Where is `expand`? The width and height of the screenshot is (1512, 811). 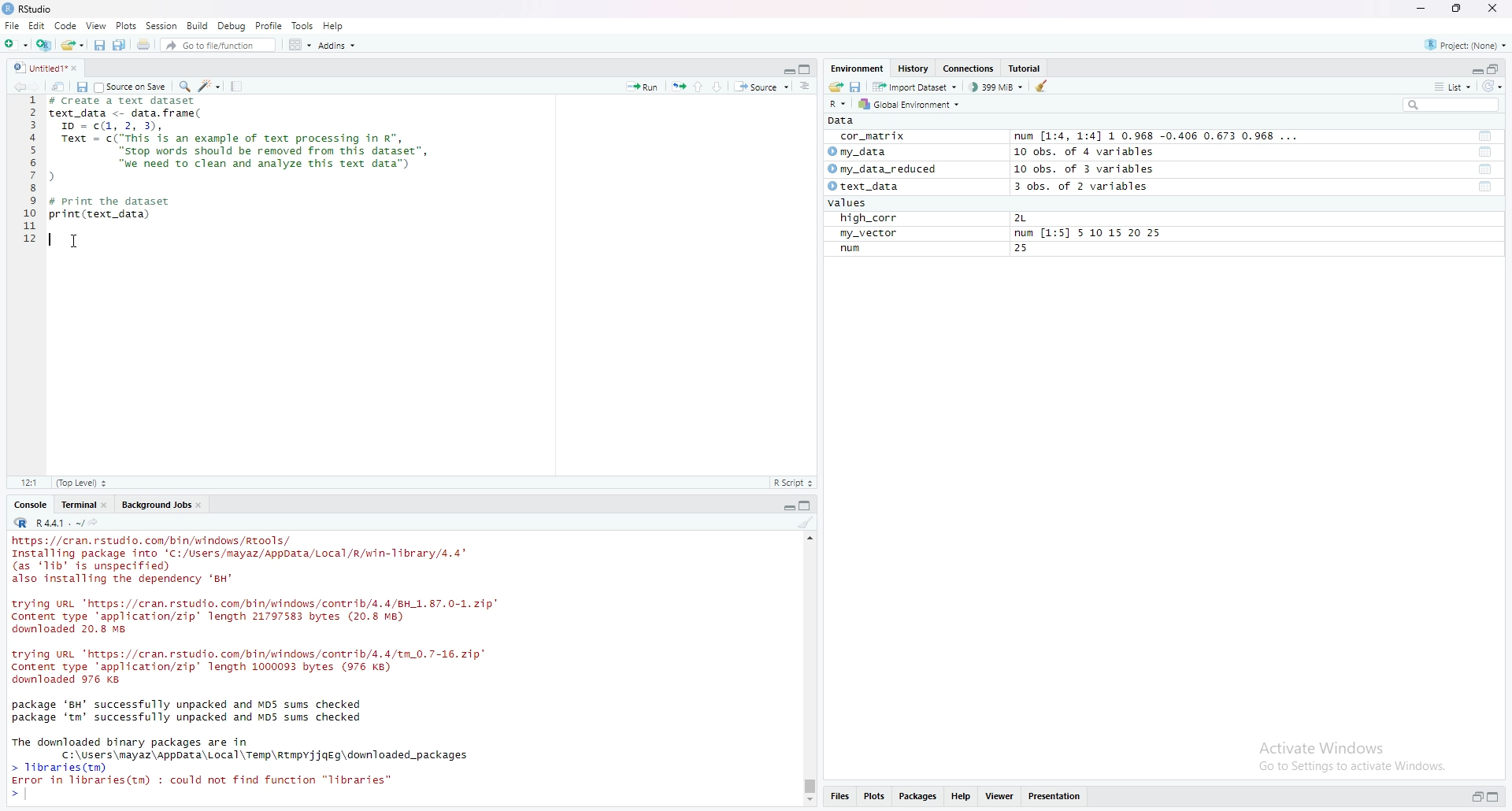 expand is located at coordinates (787, 508).